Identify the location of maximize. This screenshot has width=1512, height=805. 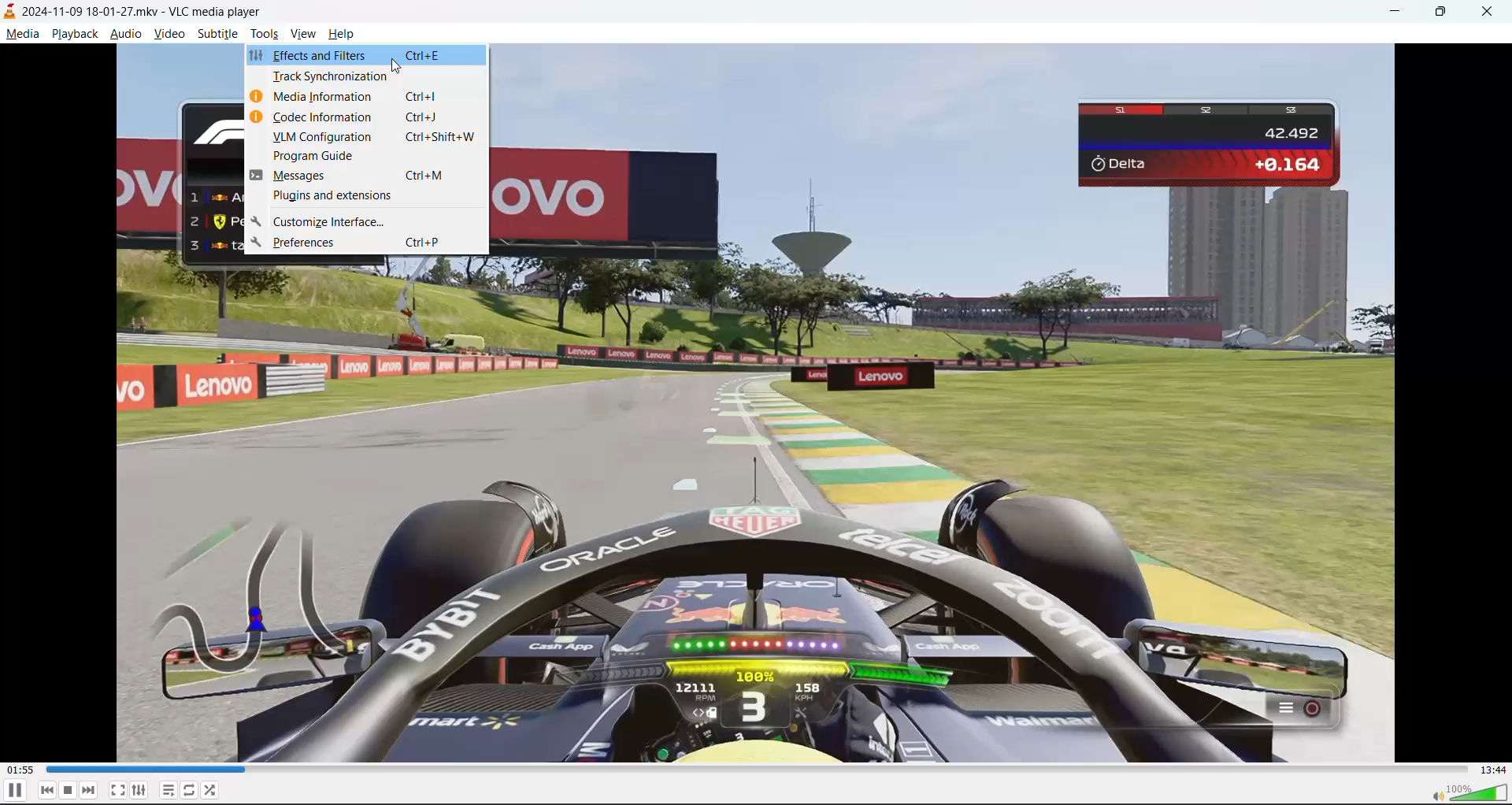
(1449, 13).